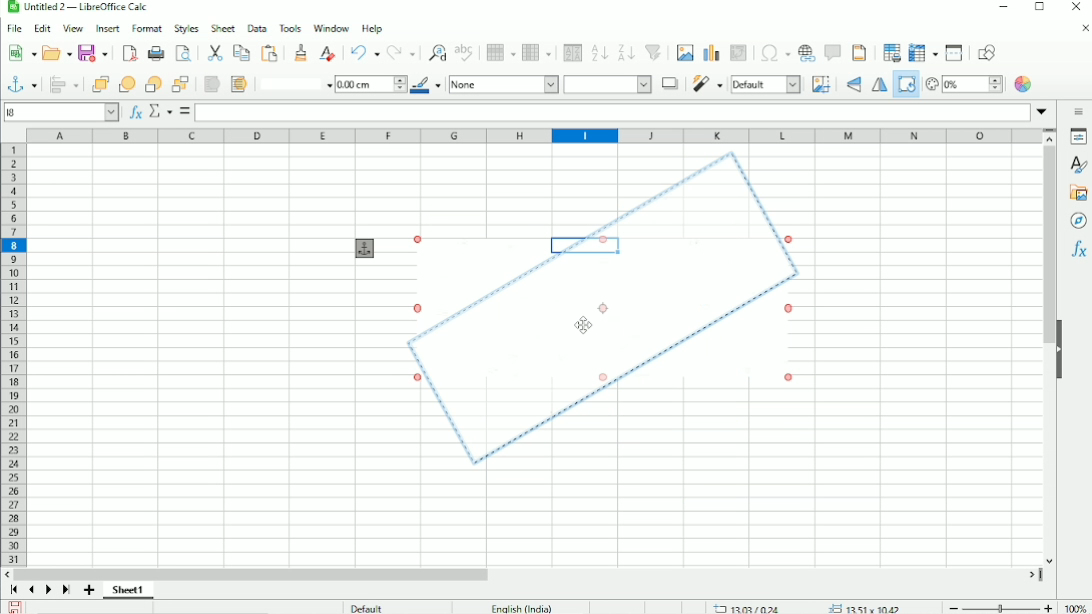 The width and height of the screenshot is (1092, 614). I want to click on Cut, so click(215, 53).